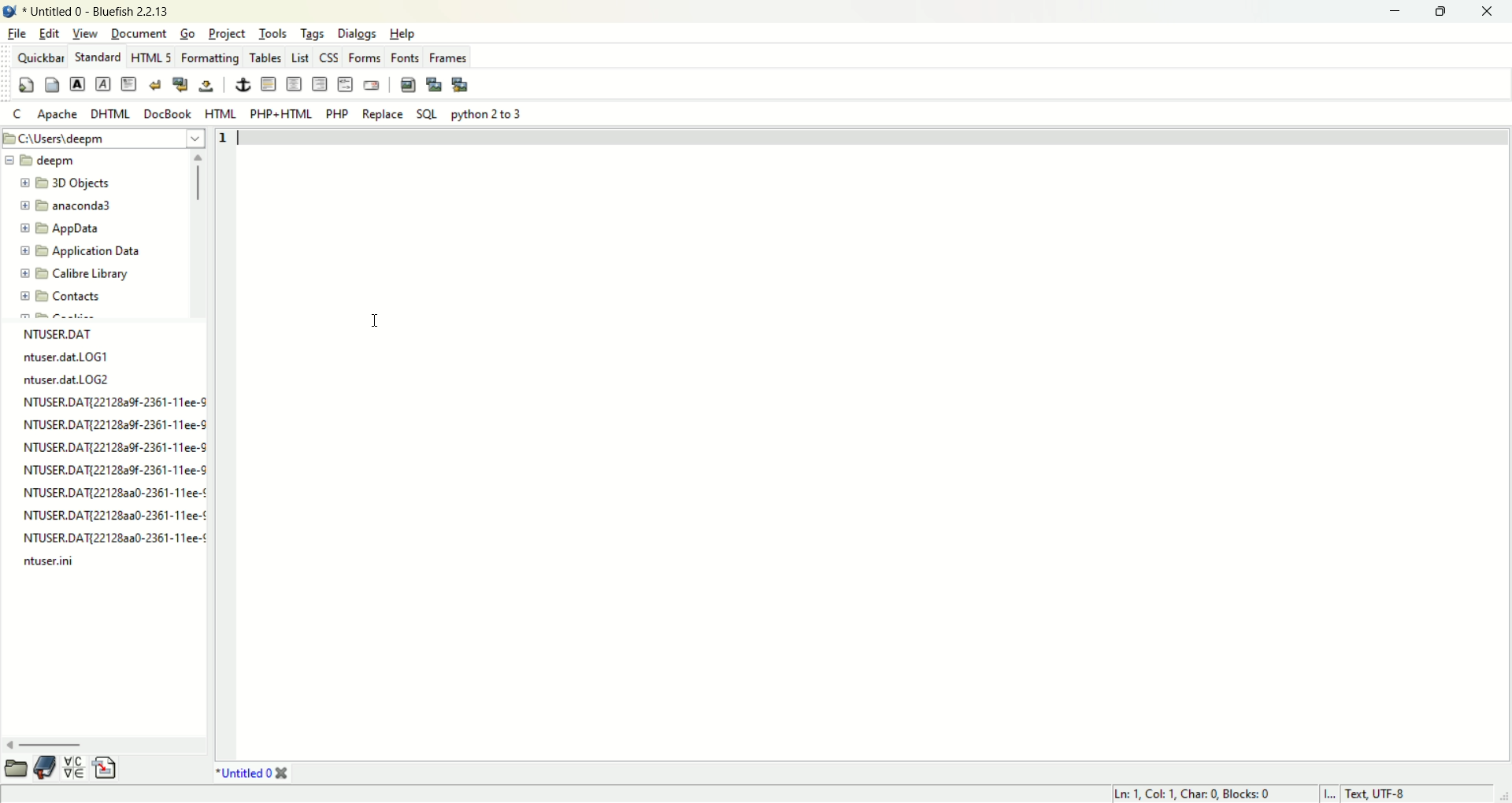  I want to click on Replace, so click(380, 116).